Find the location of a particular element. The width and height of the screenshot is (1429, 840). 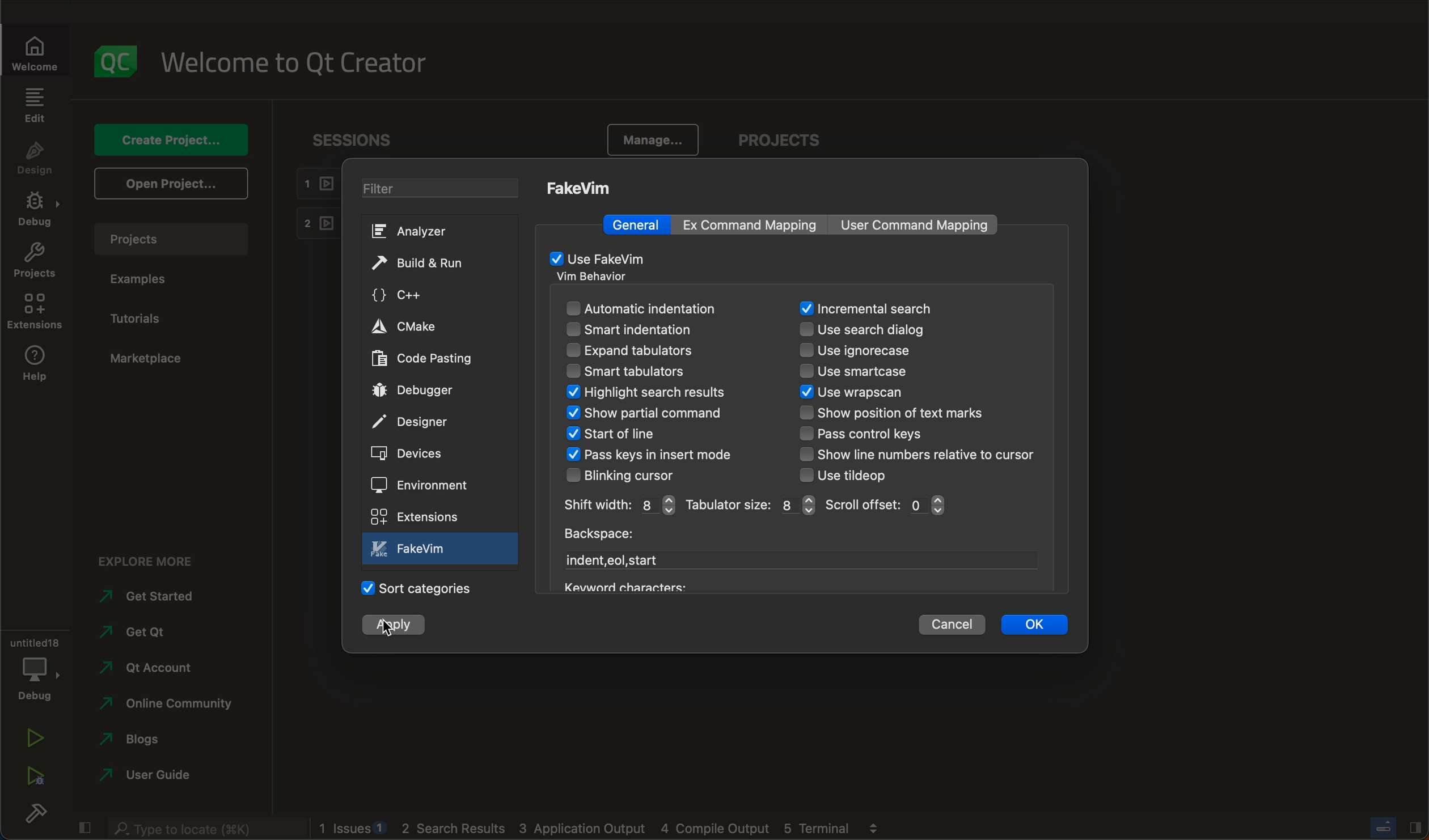

categories is located at coordinates (419, 587).